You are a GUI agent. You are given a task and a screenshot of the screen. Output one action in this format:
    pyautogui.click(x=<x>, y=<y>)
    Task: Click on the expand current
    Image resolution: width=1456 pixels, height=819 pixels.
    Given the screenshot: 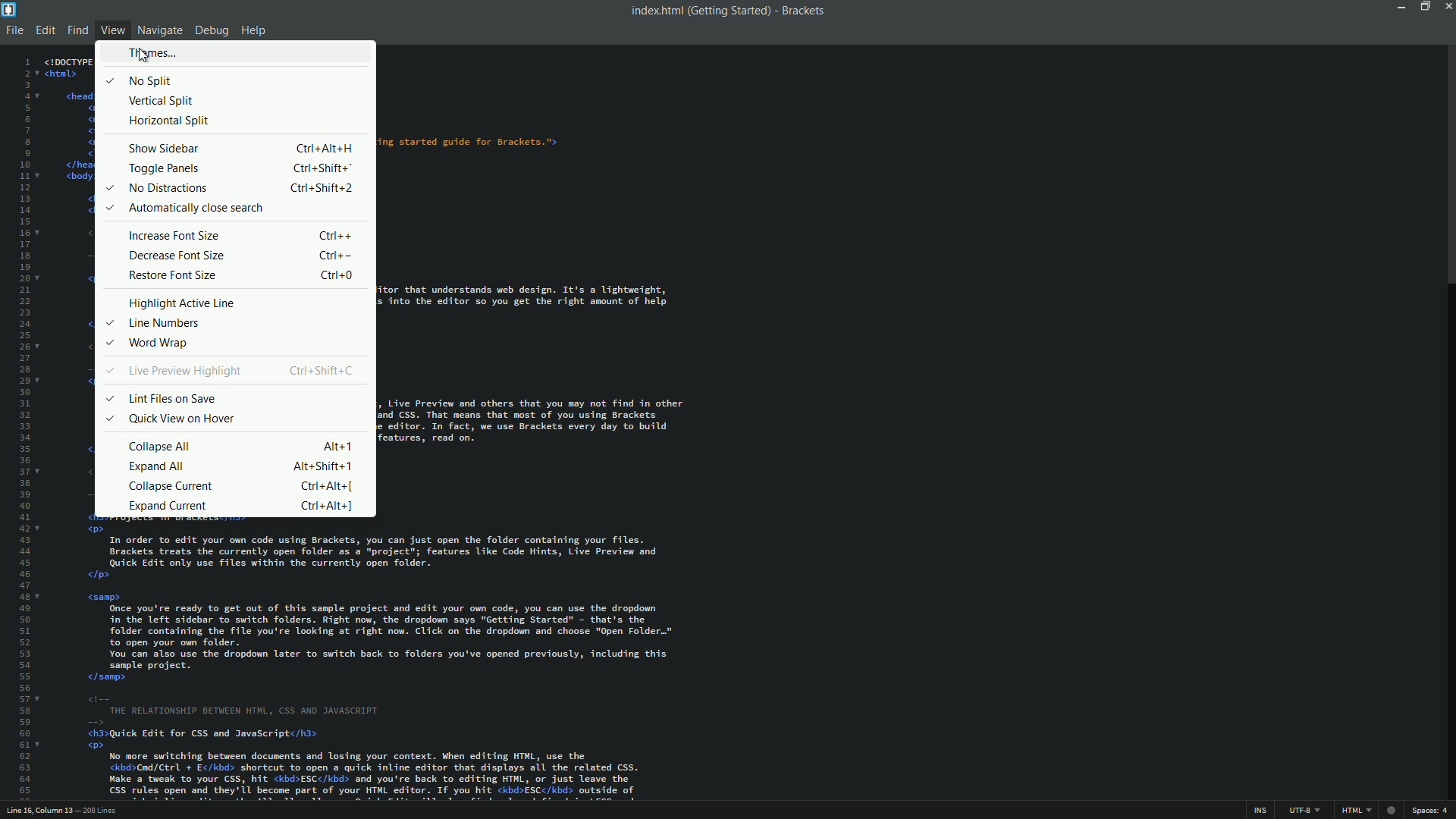 What is the action you would take?
    pyautogui.click(x=168, y=505)
    